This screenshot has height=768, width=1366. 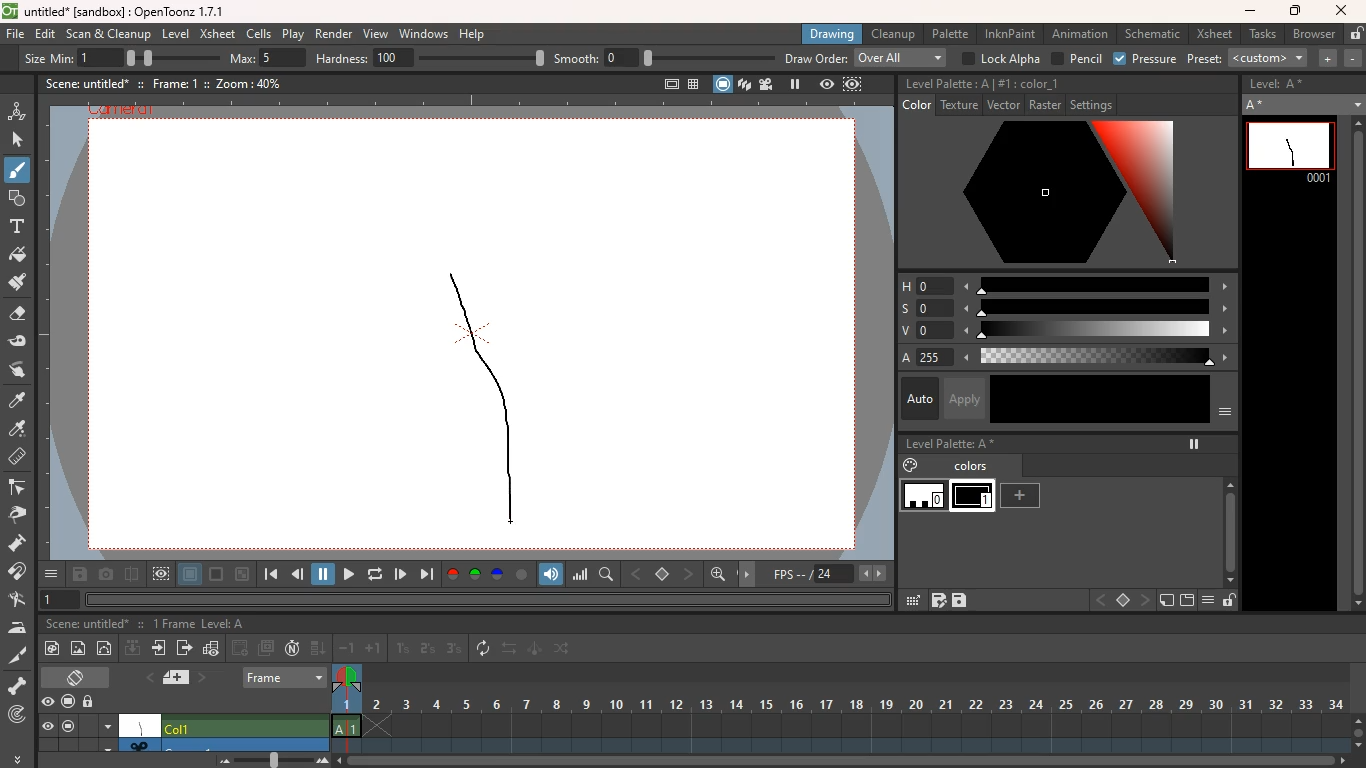 I want to click on palette, so click(x=952, y=33).